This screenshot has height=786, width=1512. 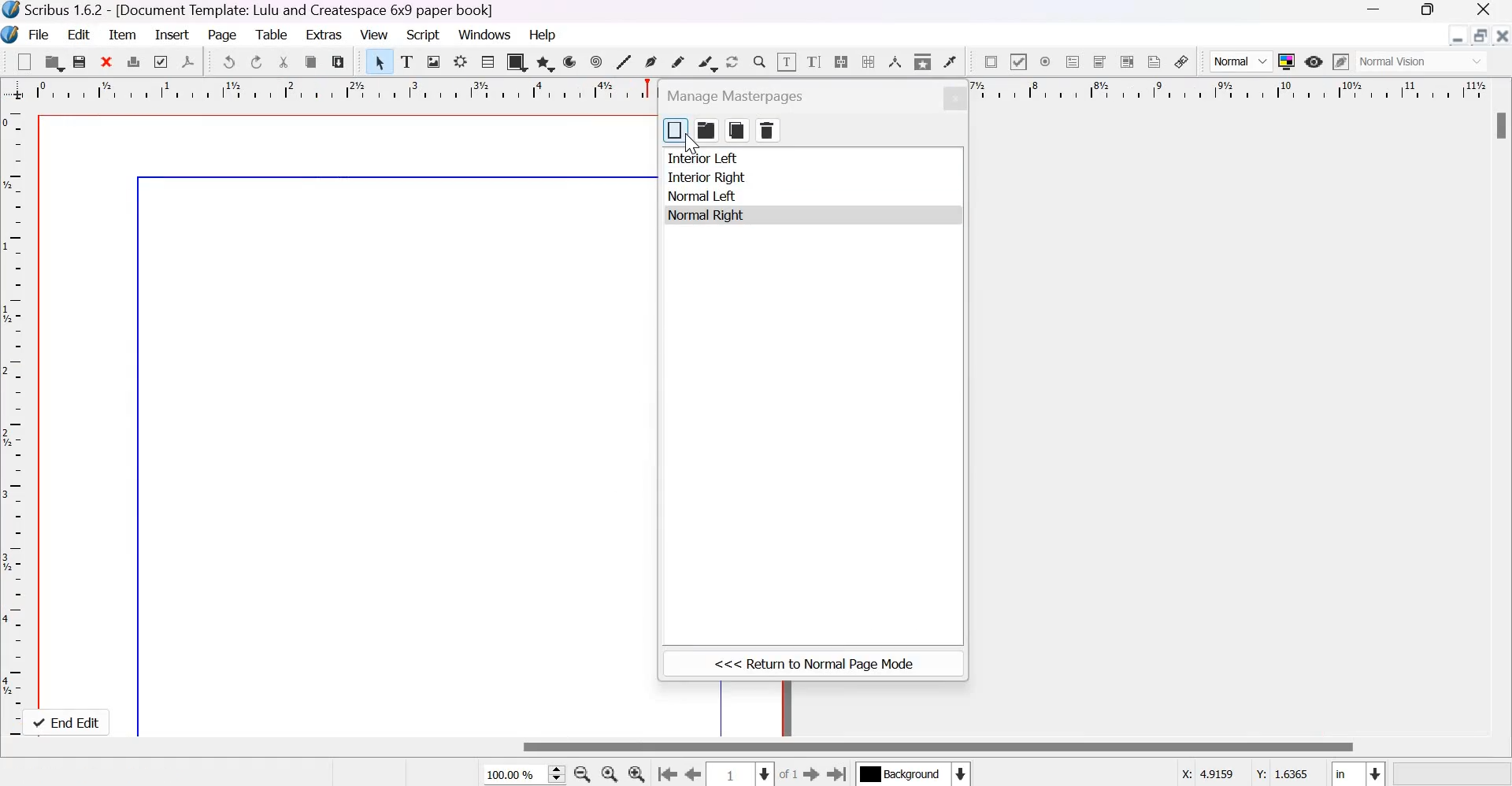 What do you see at coordinates (706, 130) in the screenshot?
I see `import master pages from another document` at bounding box center [706, 130].